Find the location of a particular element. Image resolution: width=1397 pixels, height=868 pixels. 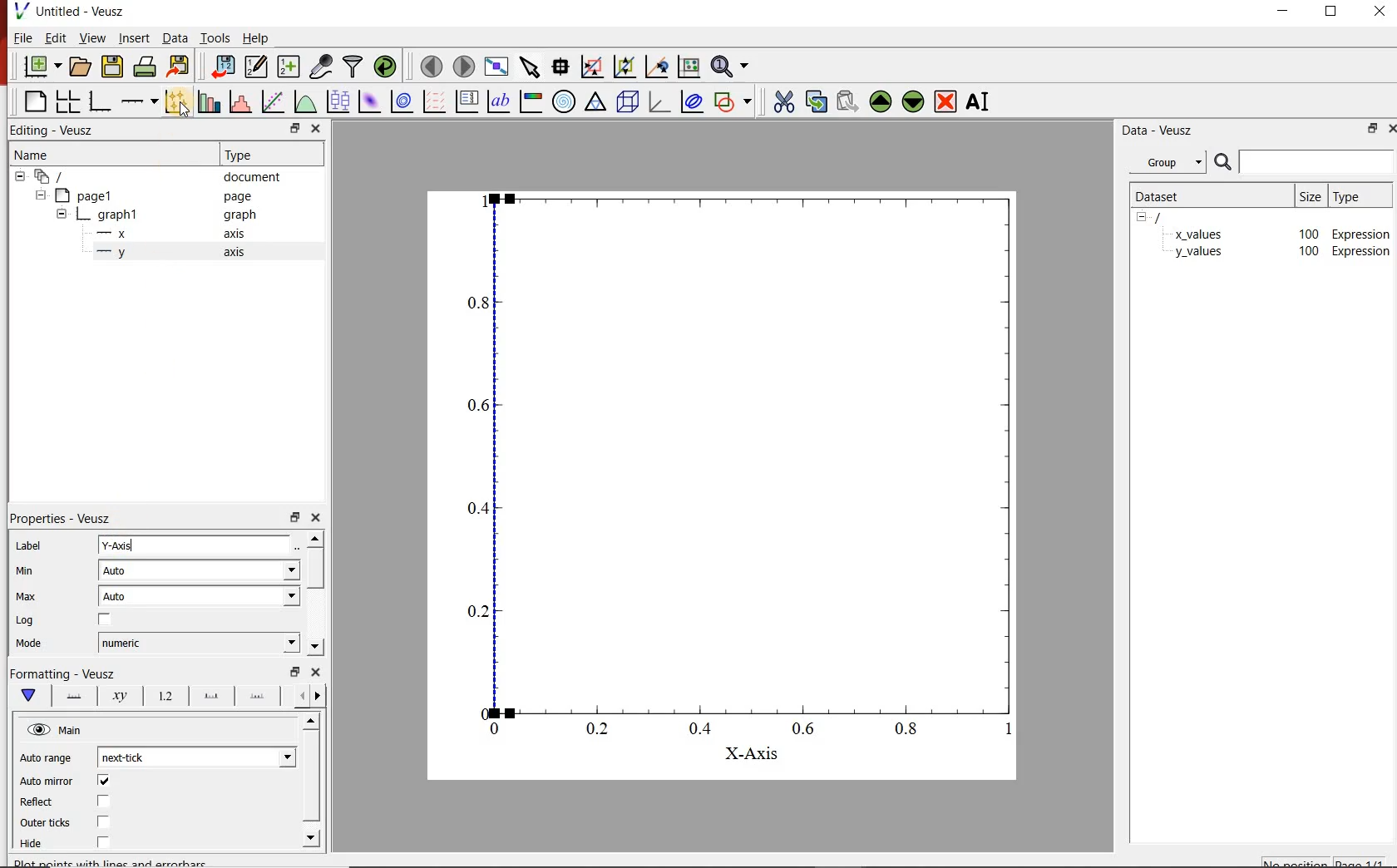

Expression is located at coordinates (1361, 252).